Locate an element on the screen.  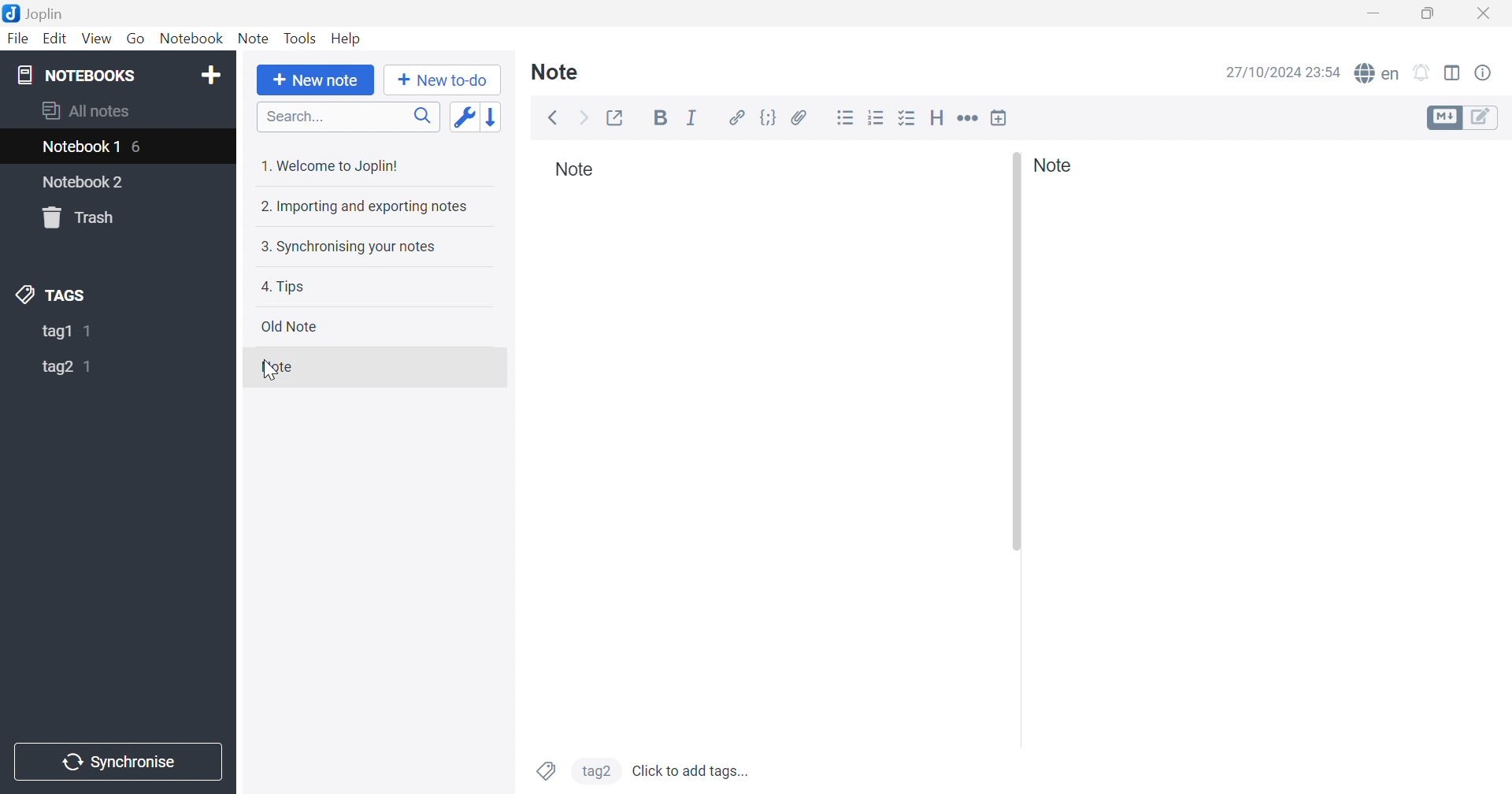
Set alarm is located at coordinates (1421, 72).